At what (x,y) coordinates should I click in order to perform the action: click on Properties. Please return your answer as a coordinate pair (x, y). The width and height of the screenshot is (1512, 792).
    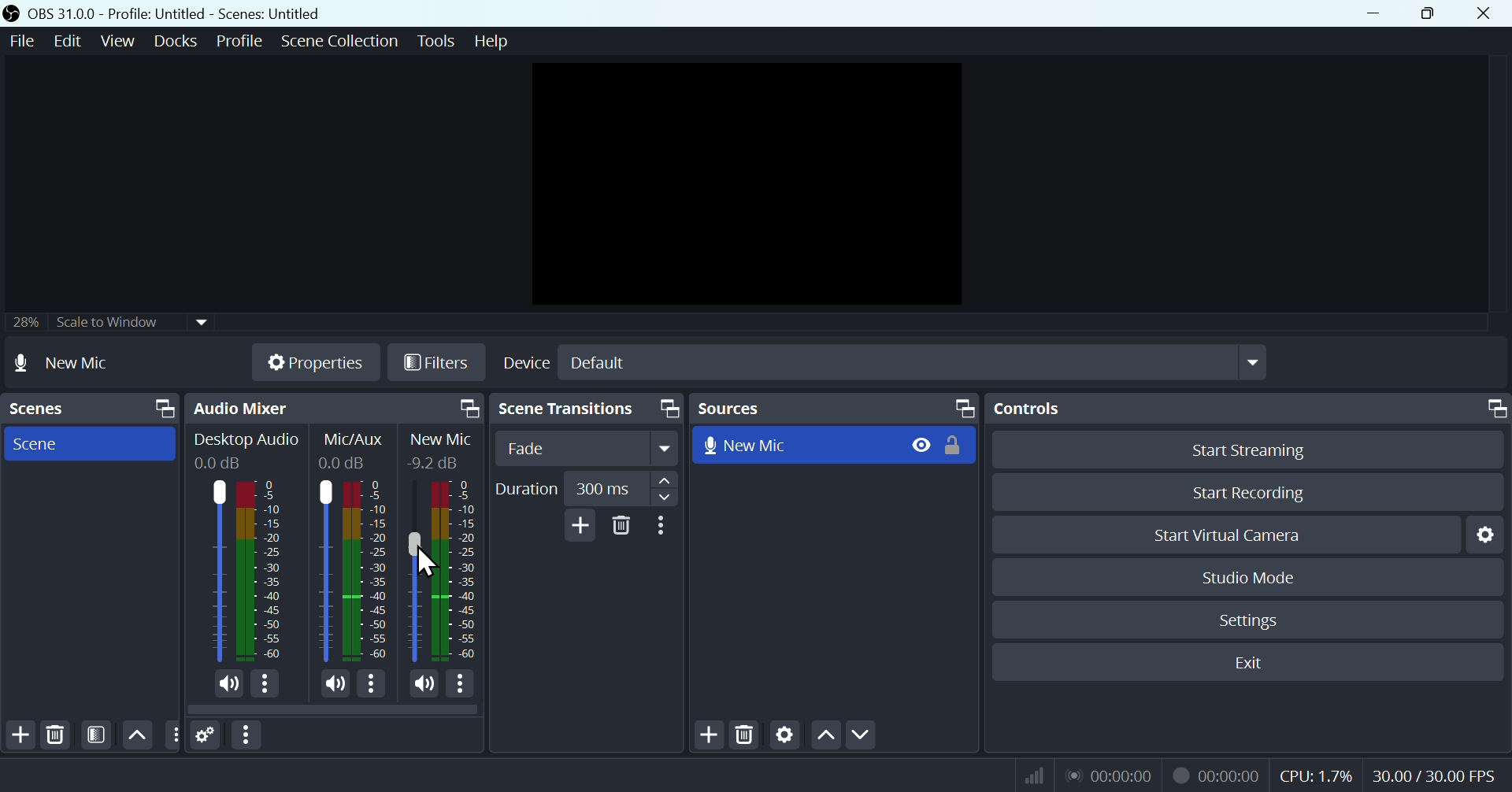
    Looking at the image, I should click on (314, 362).